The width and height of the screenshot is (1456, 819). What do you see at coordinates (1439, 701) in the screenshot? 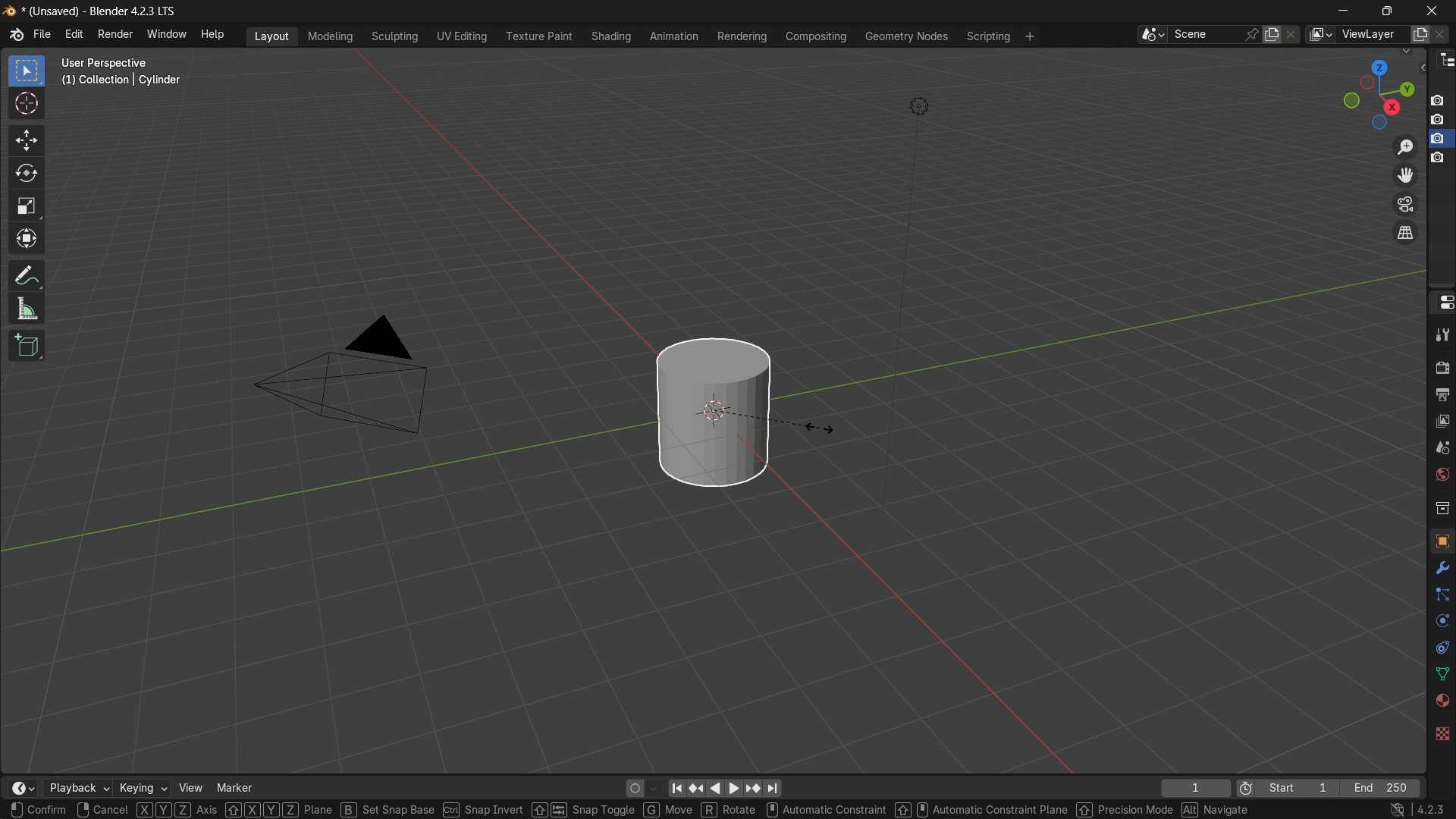
I see `materials` at bounding box center [1439, 701].